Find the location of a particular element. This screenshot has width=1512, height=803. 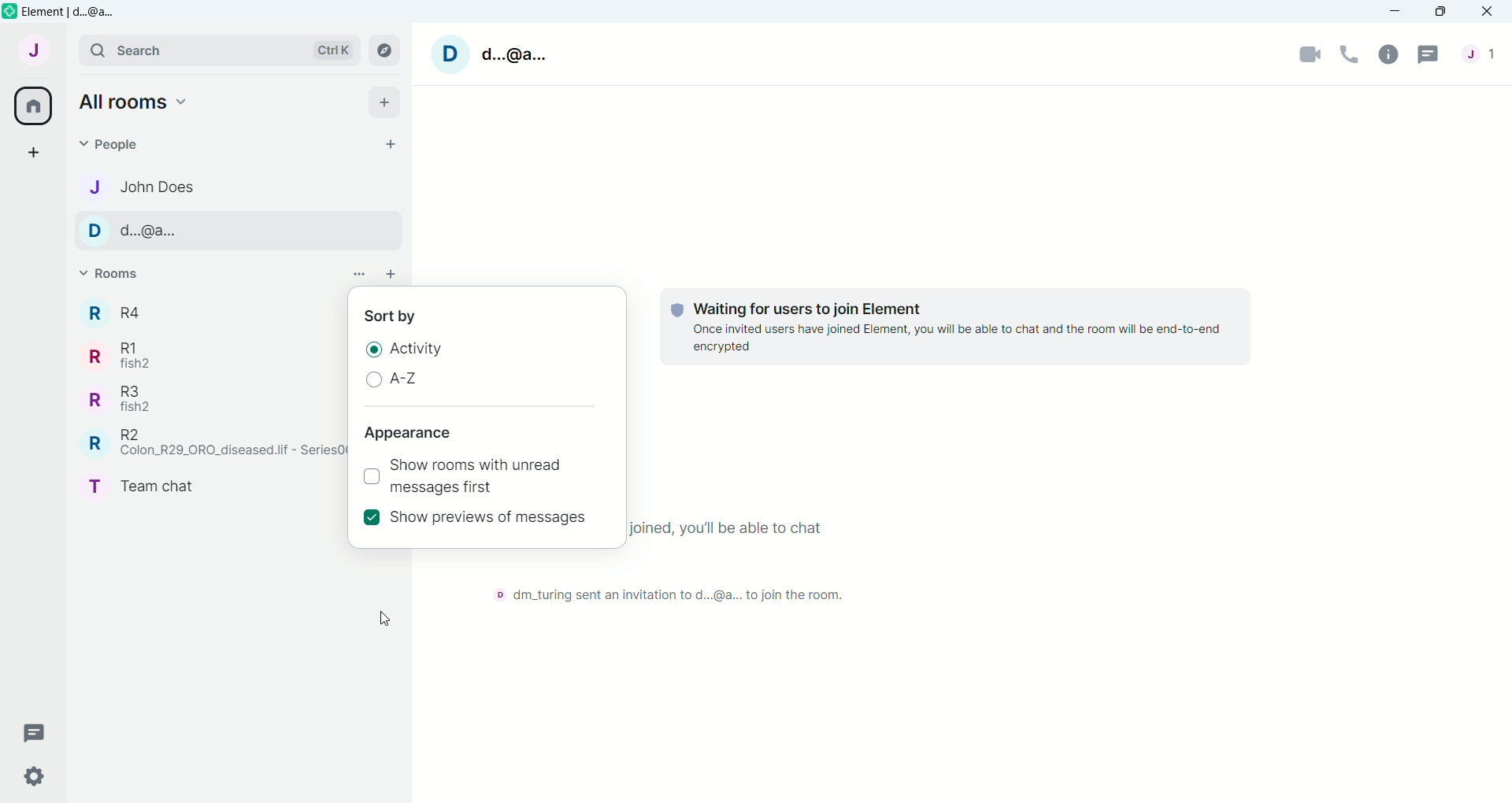

Radio Button is located at coordinates (375, 348).